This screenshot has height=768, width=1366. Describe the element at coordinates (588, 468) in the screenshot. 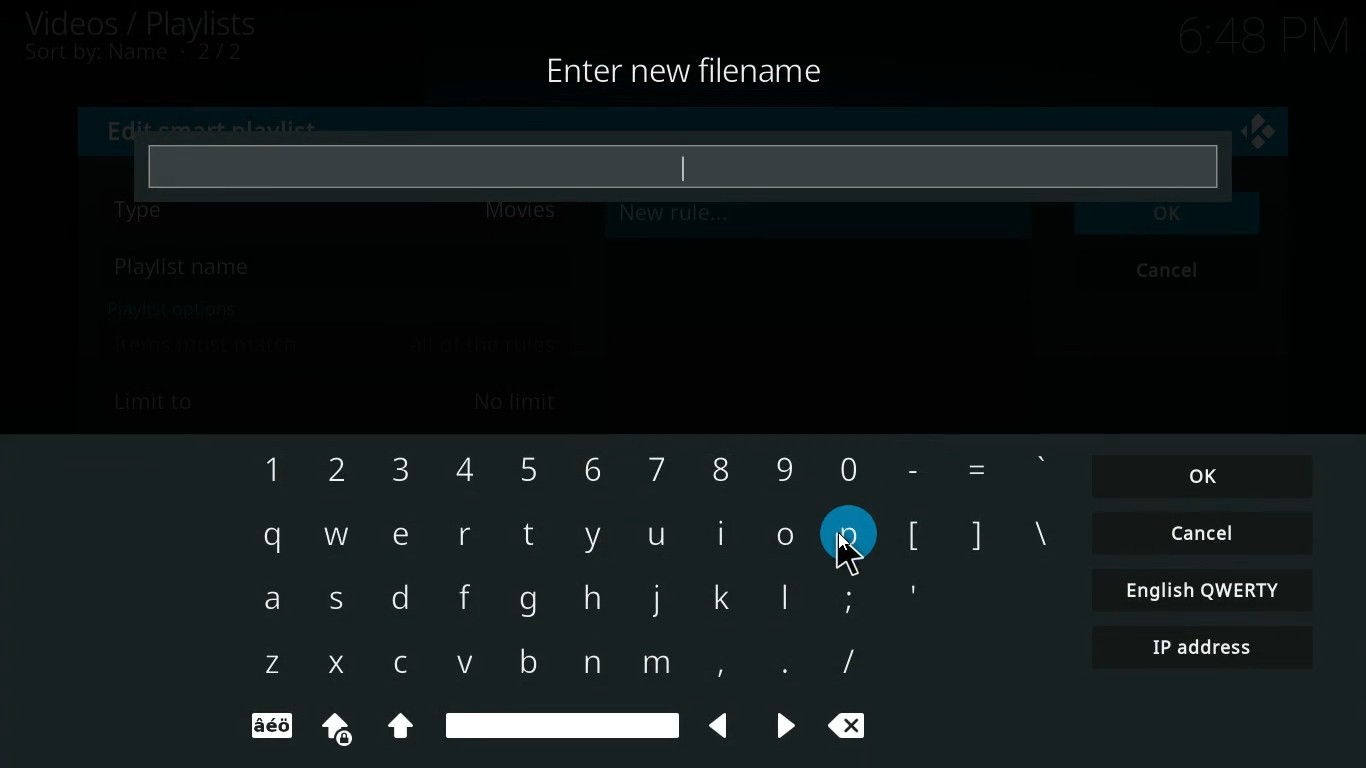

I see `6` at that location.